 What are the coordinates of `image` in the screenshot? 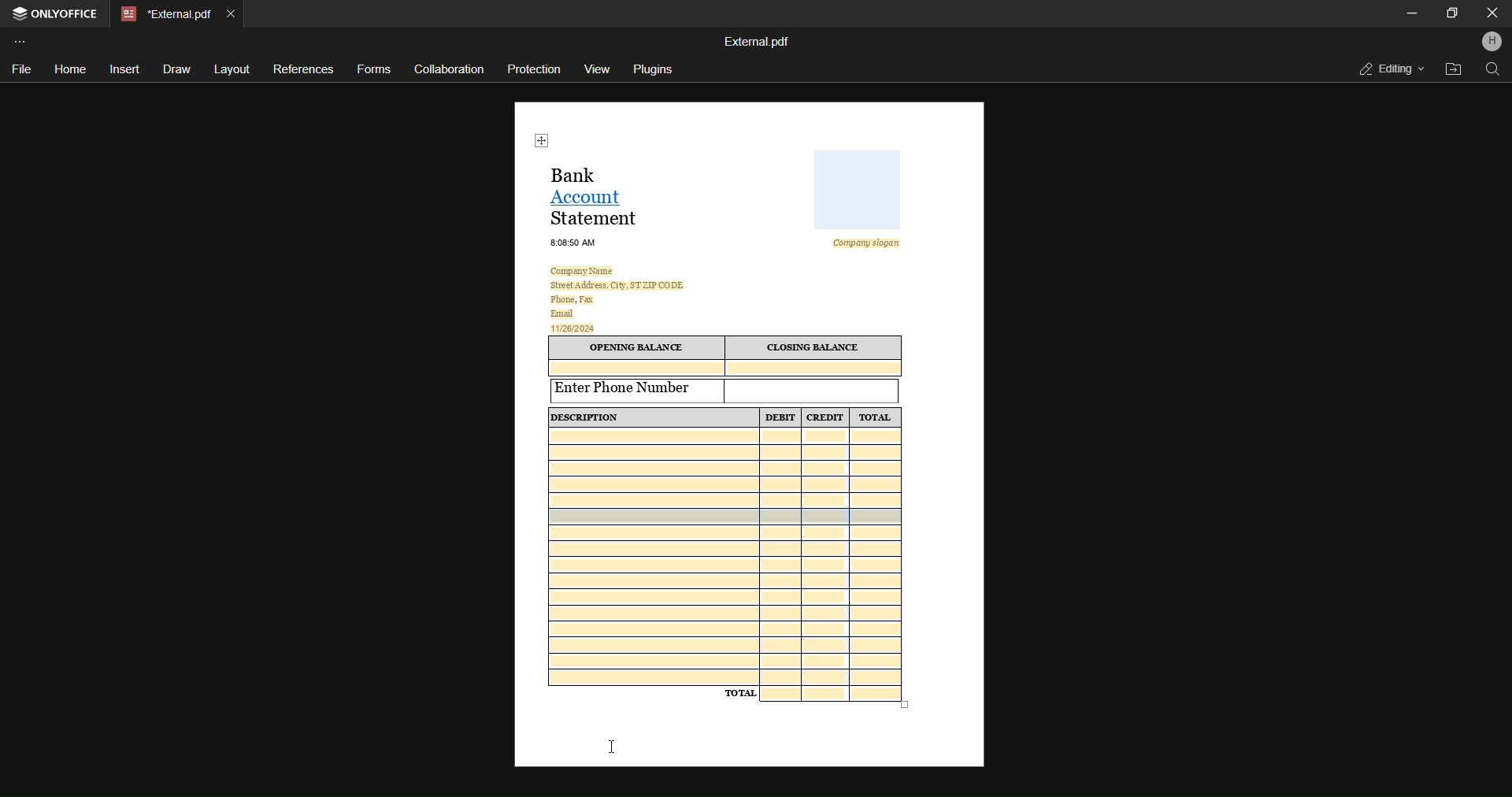 It's located at (858, 188).